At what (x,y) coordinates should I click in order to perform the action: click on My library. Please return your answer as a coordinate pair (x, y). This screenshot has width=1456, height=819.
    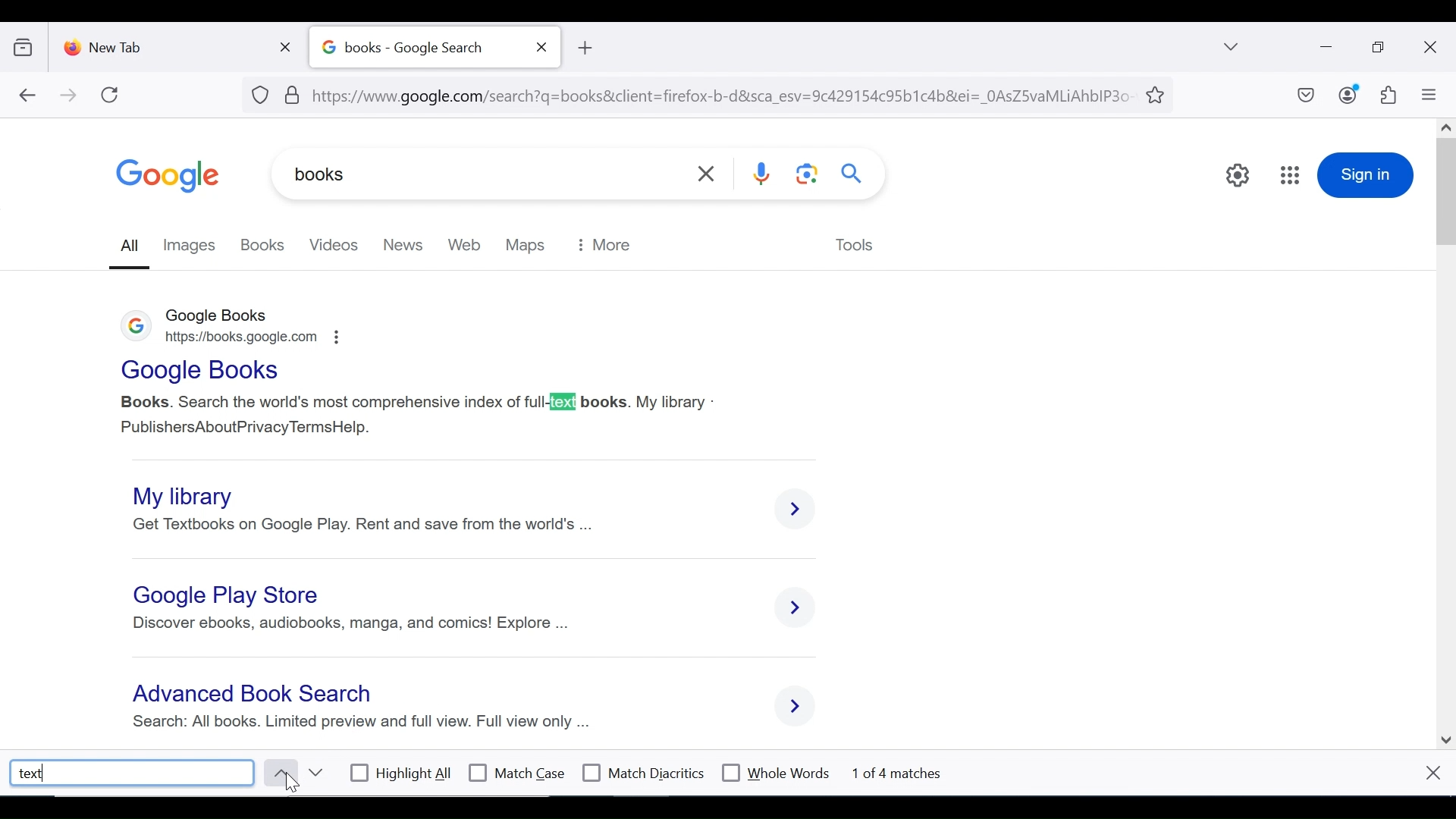
    Looking at the image, I should click on (180, 496).